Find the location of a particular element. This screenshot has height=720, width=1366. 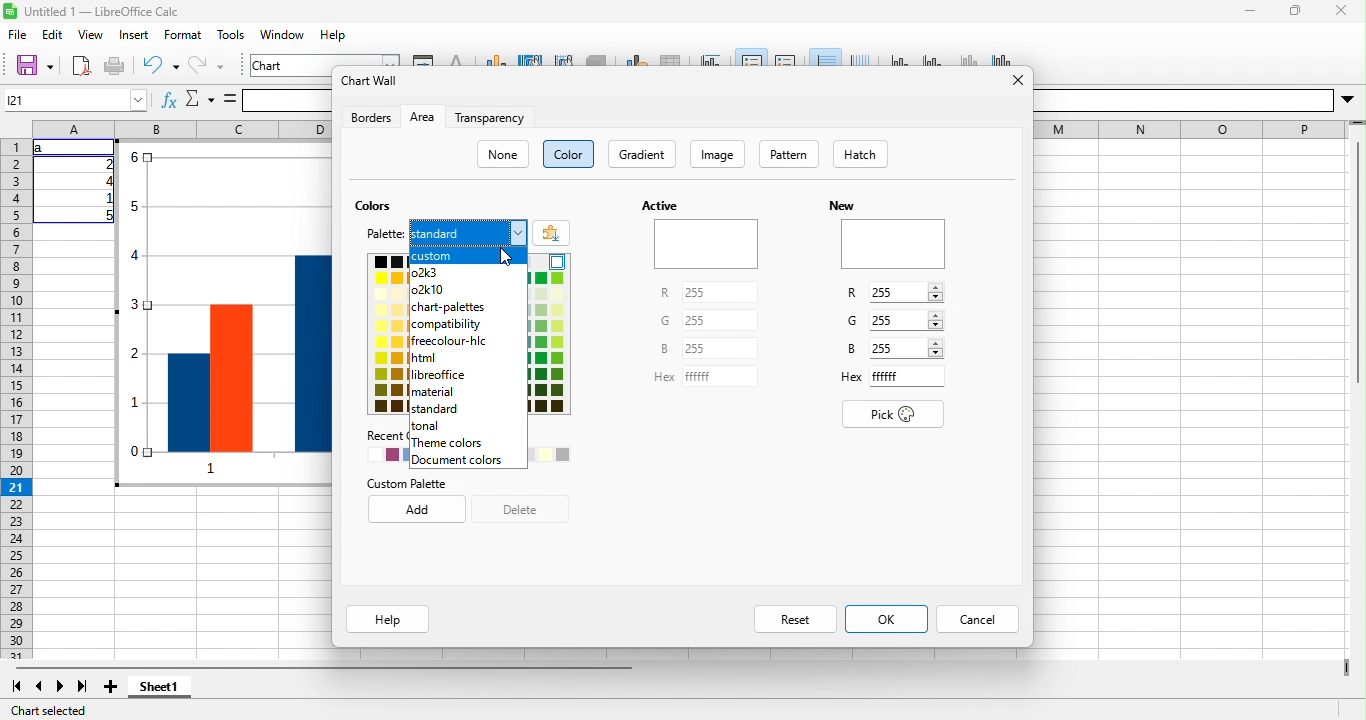

4 is located at coordinates (106, 181).